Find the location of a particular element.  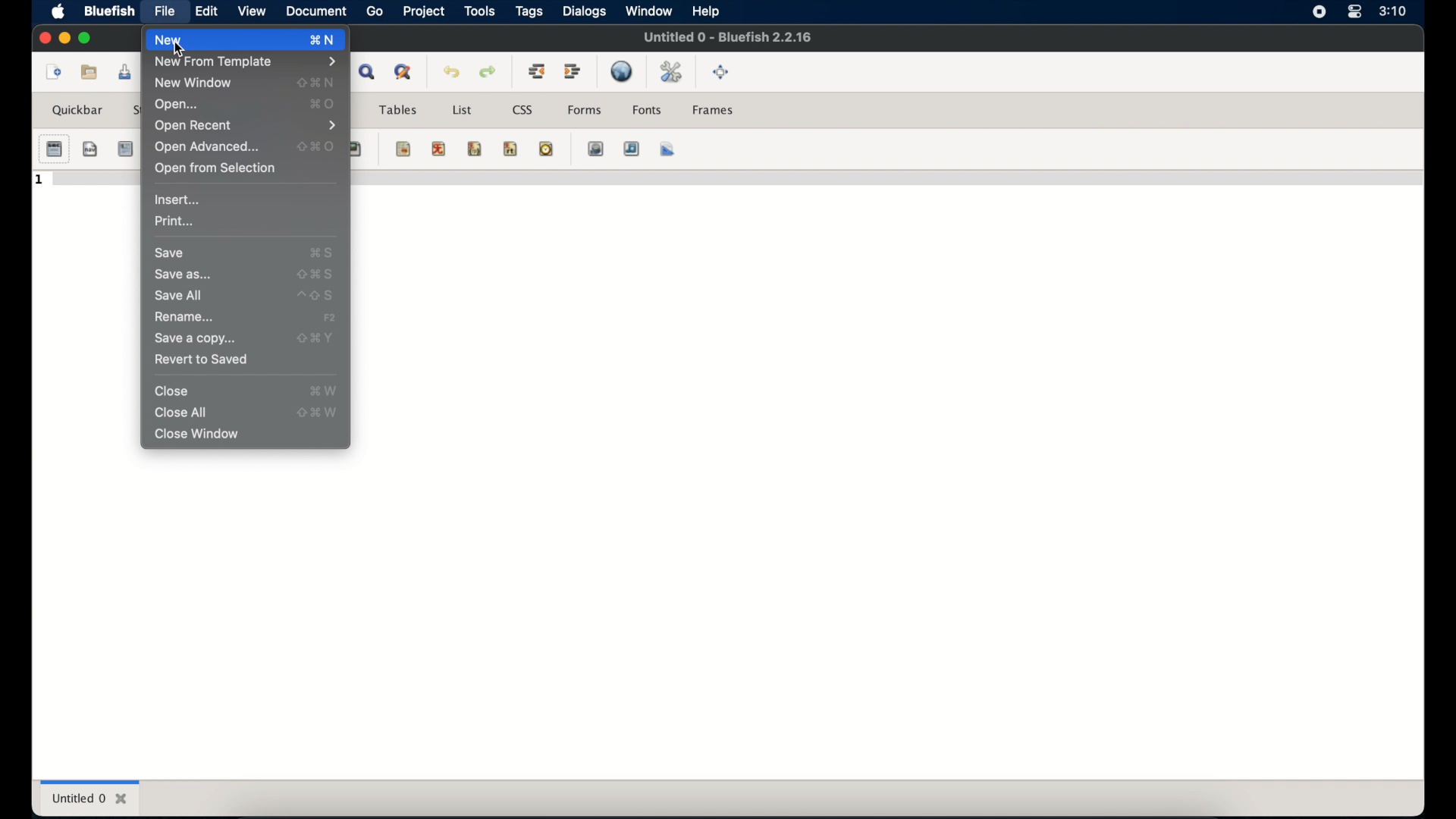

close all shortcut is located at coordinates (318, 412).